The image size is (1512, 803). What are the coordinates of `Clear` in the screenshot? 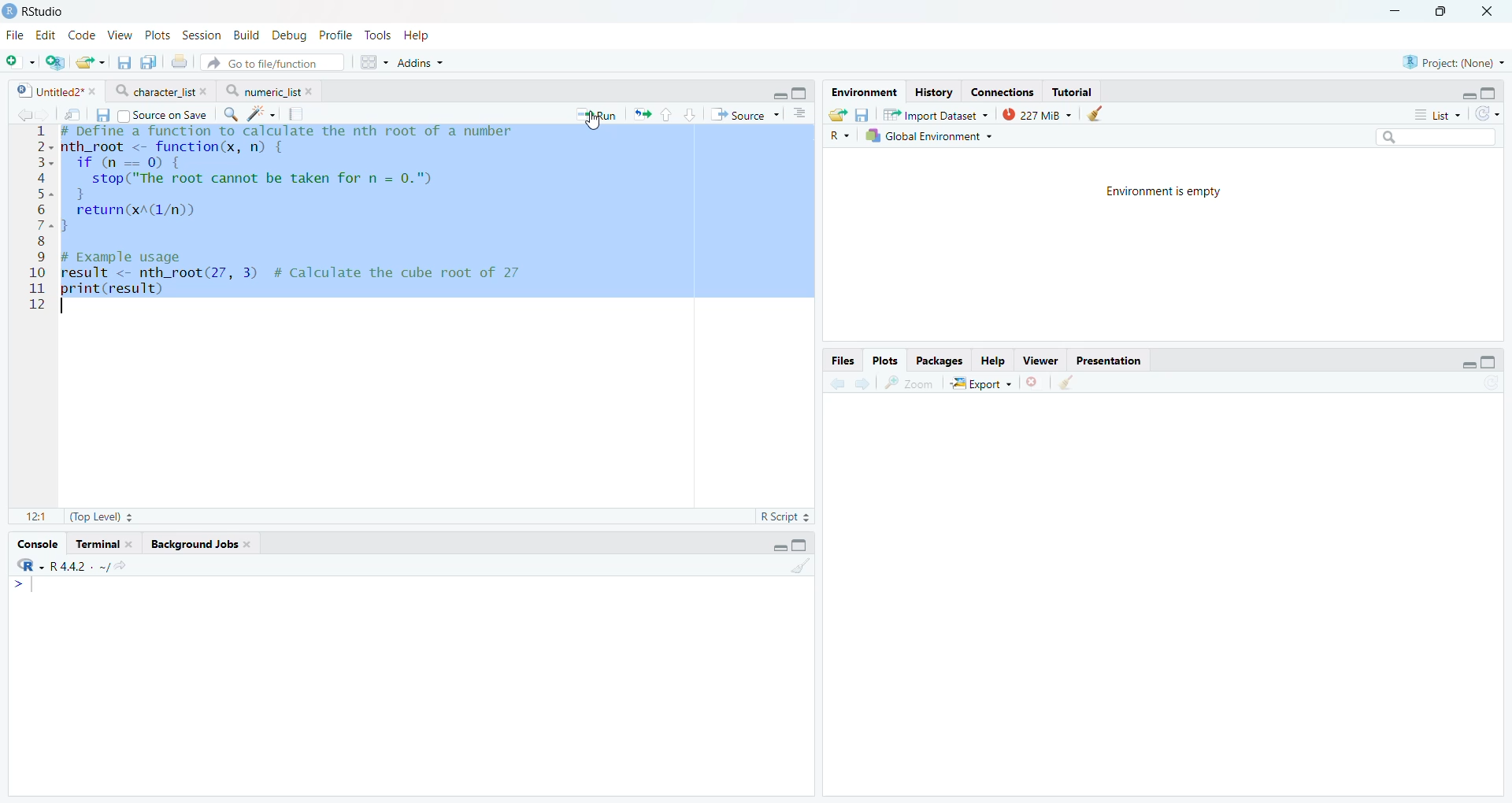 It's located at (1069, 383).